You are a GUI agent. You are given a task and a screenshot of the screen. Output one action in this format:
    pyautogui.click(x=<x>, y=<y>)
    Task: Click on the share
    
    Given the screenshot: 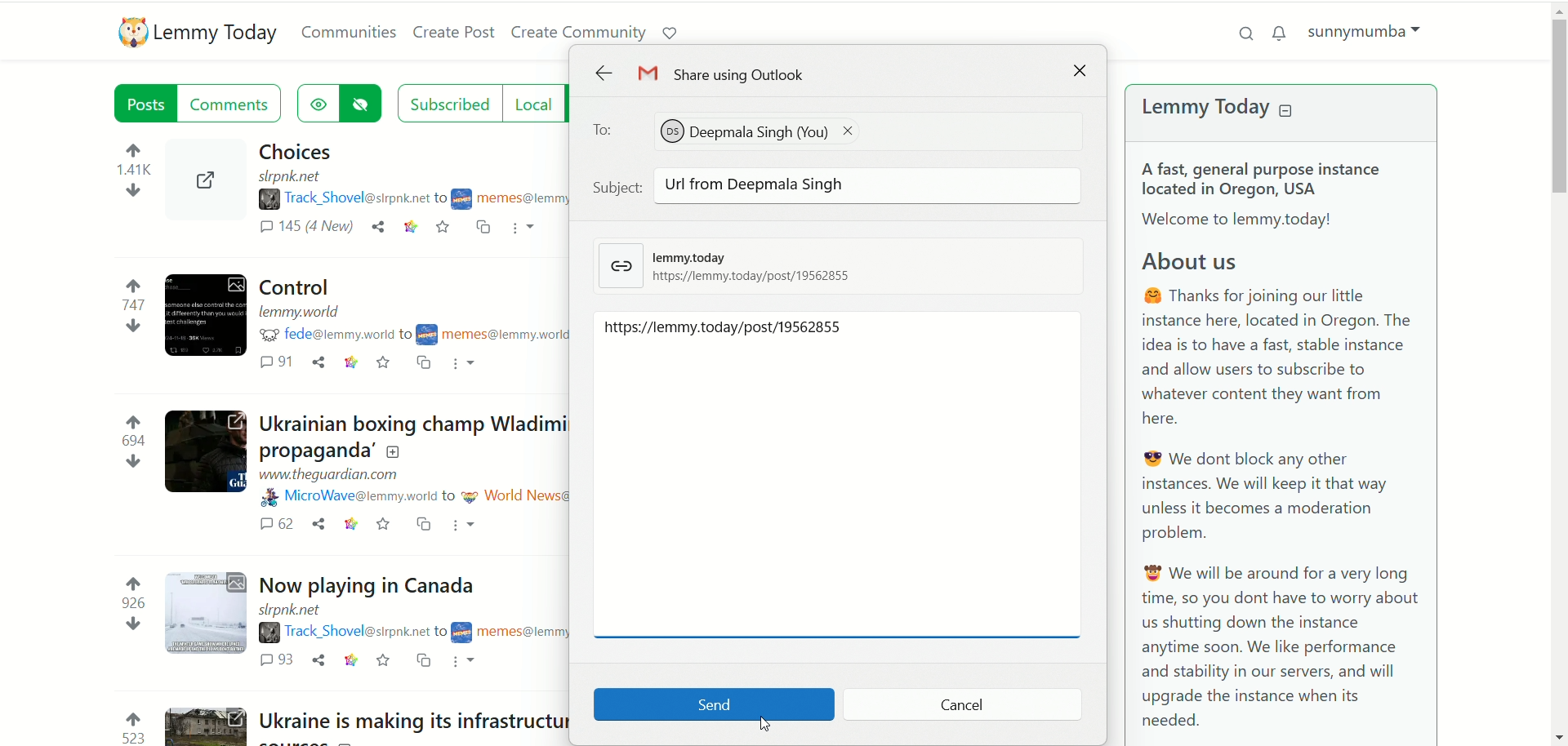 What is the action you would take?
    pyautogui.click(x=318, y=362)
    